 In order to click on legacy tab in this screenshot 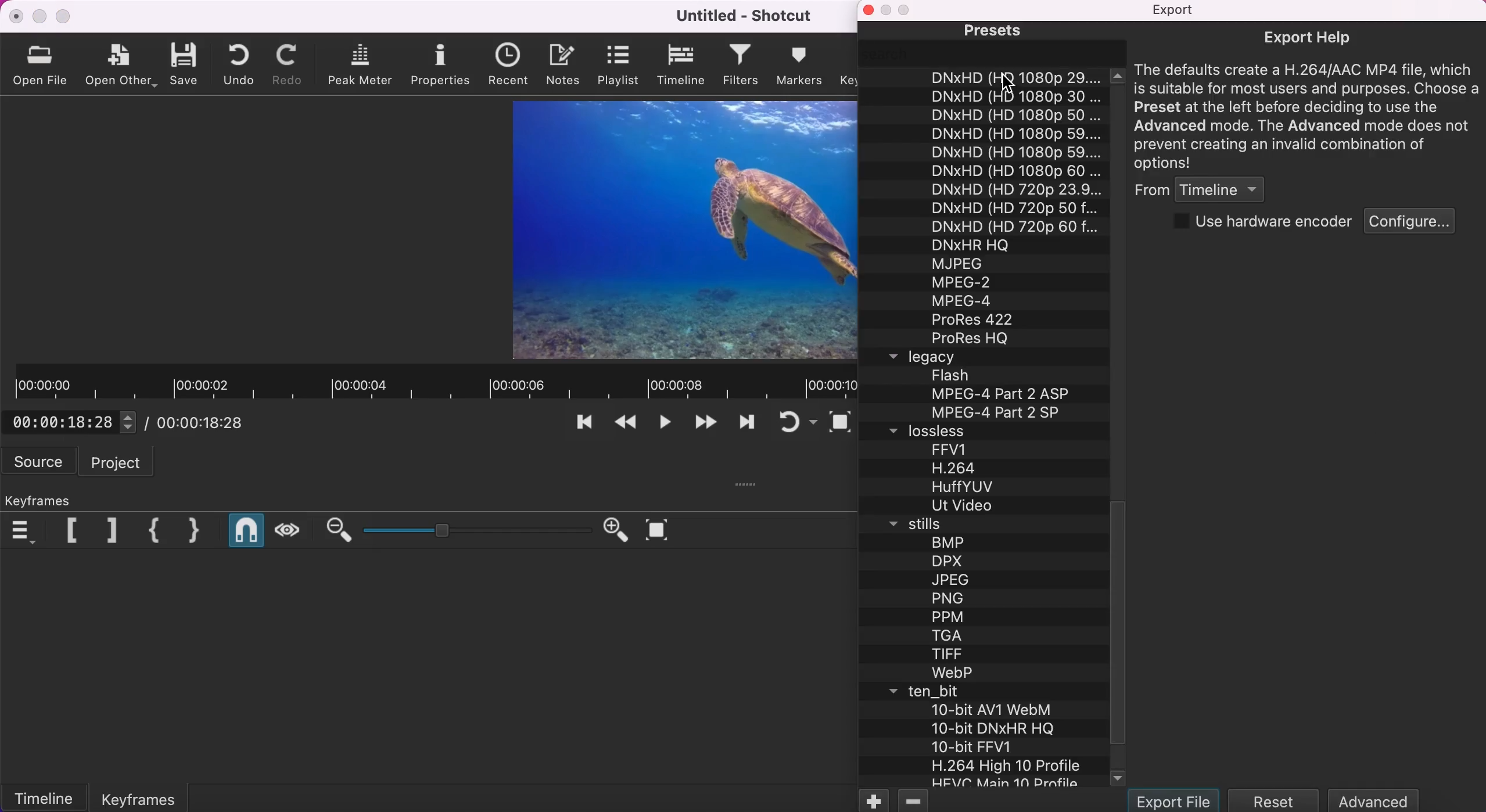, I will do `click(981, 357)`.